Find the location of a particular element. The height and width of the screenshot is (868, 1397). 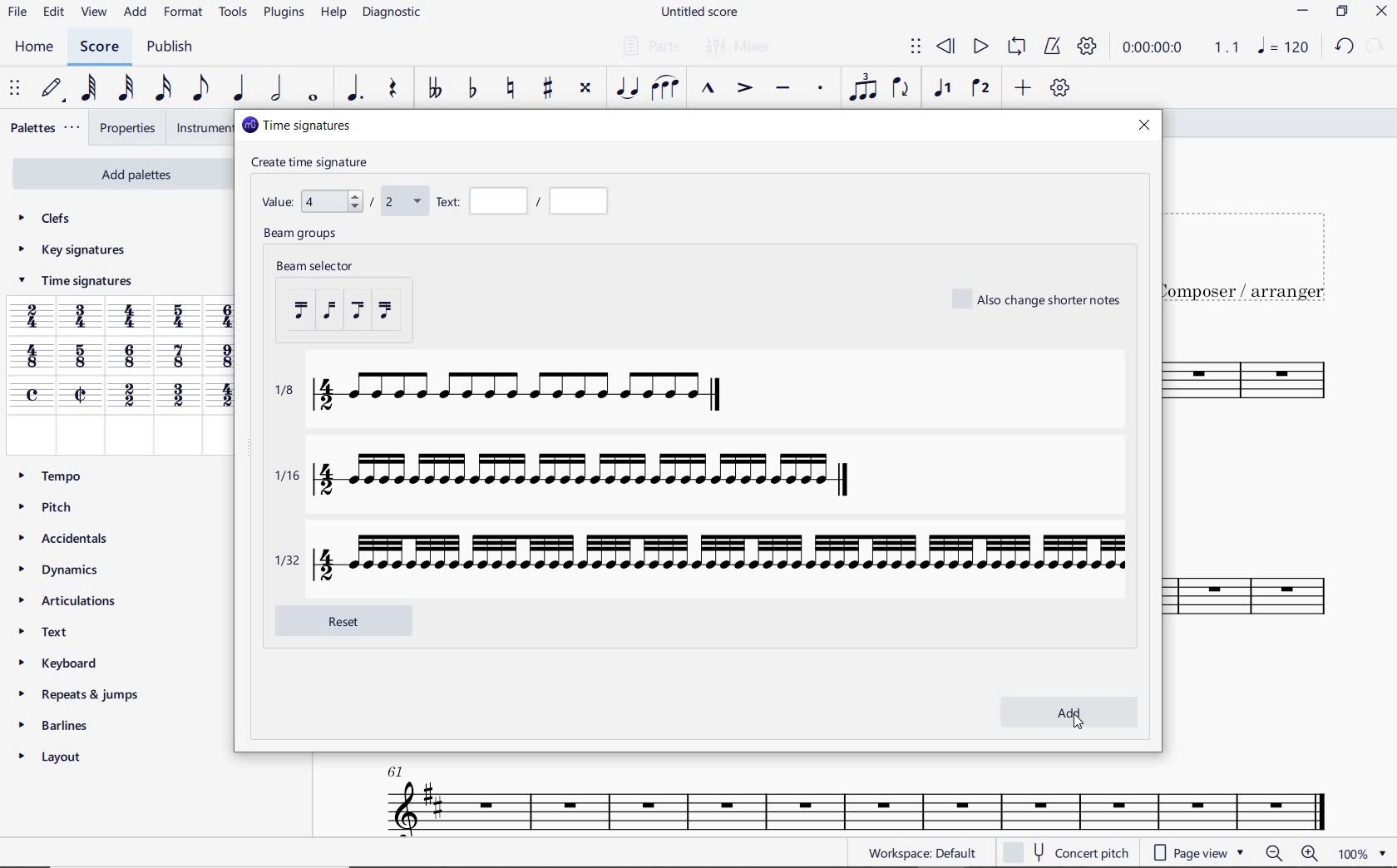

MIXER is located at coordinates (740, 47).